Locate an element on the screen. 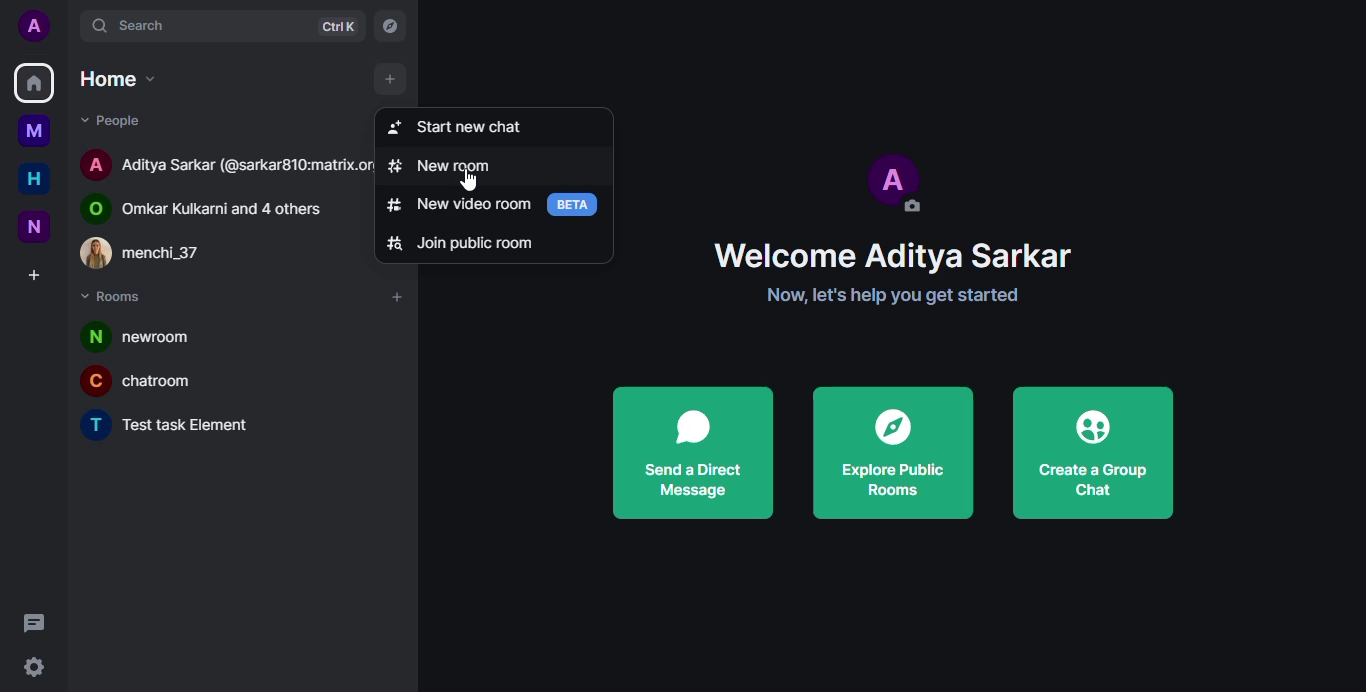 This screenshot has height=692, width=1366. Chatroom is located at coordinates (150, 380).